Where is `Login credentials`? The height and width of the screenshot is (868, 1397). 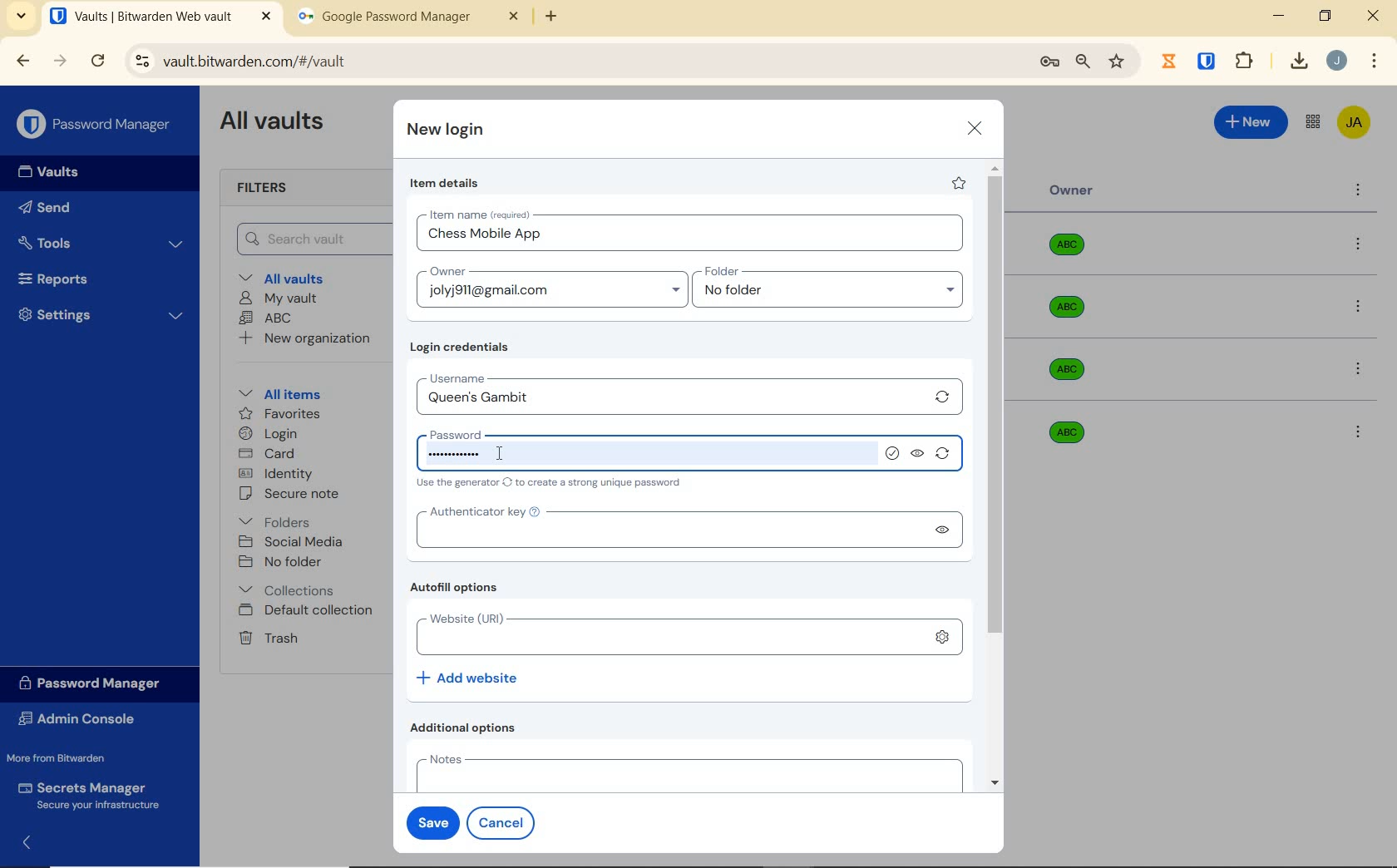 Login credentials is located at coordinates (463, 348).